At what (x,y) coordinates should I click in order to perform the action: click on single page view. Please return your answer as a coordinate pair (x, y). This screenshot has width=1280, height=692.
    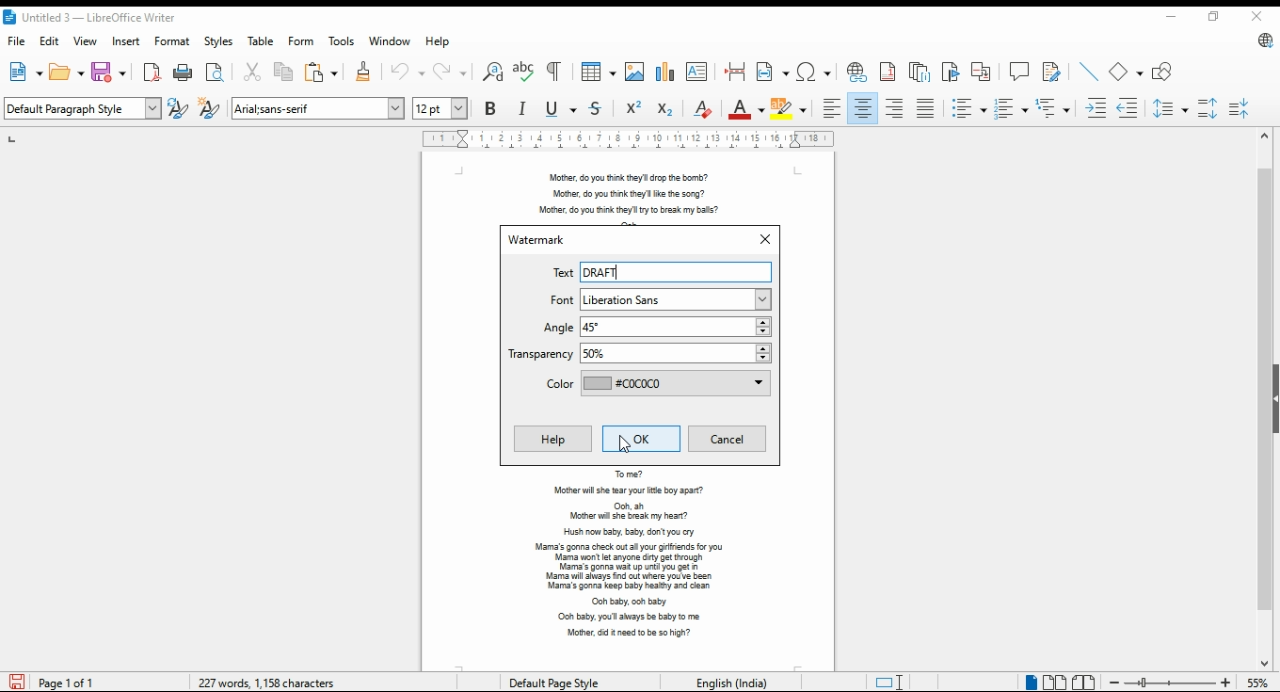
    Looking at the image, I should click on (1028, 682).